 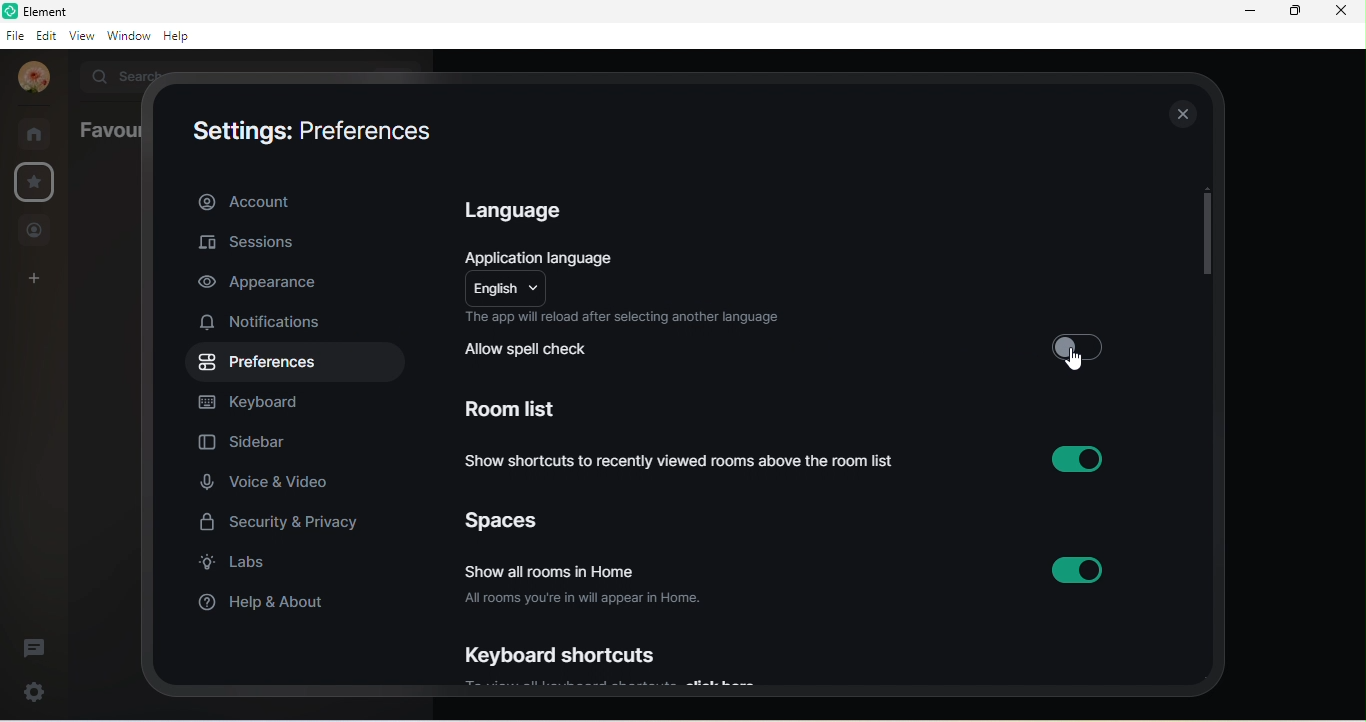 I want to click on close, so click(x=1179, y=109).